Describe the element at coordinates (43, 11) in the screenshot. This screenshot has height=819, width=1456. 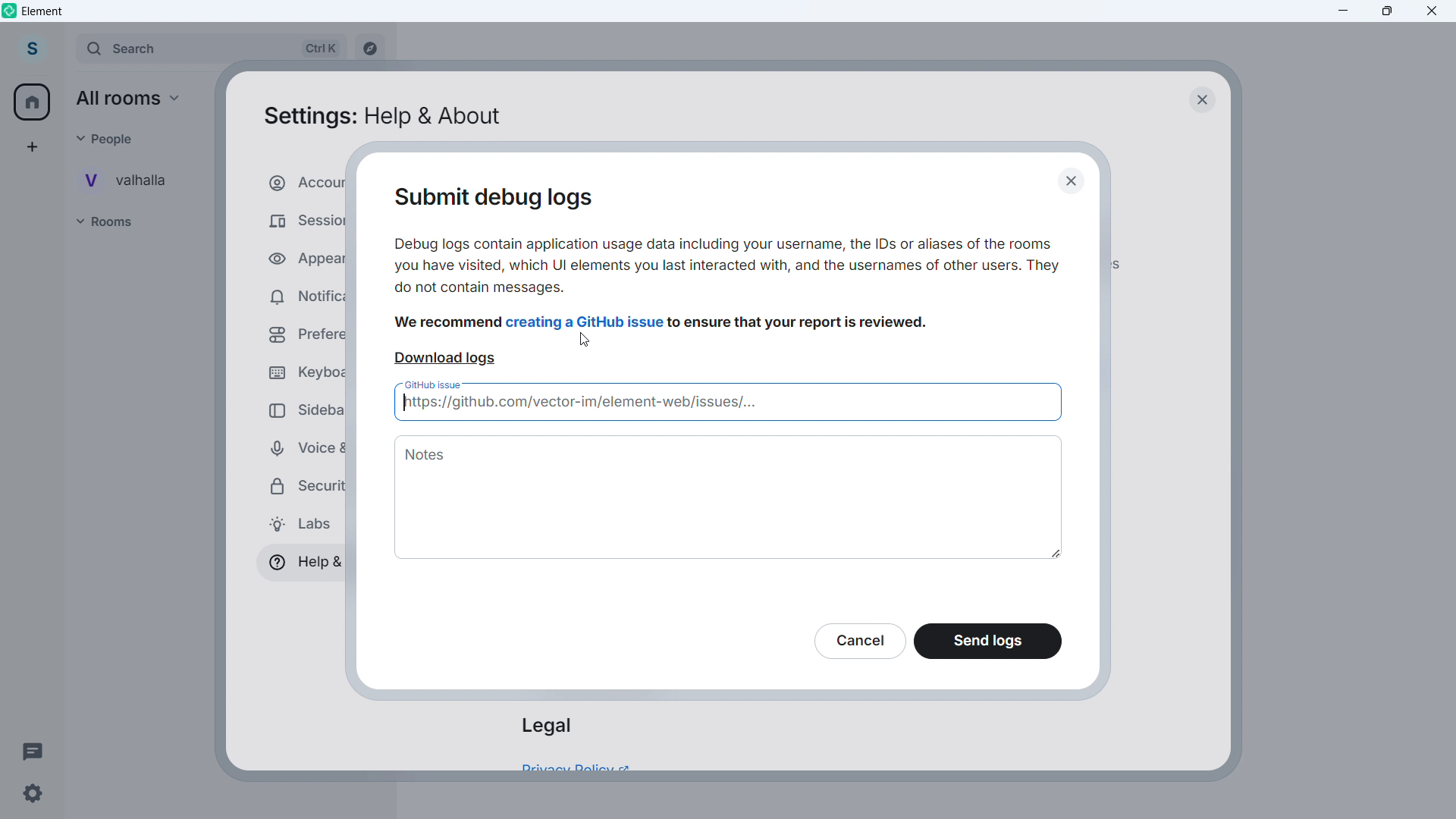
I see `Element` at that location.